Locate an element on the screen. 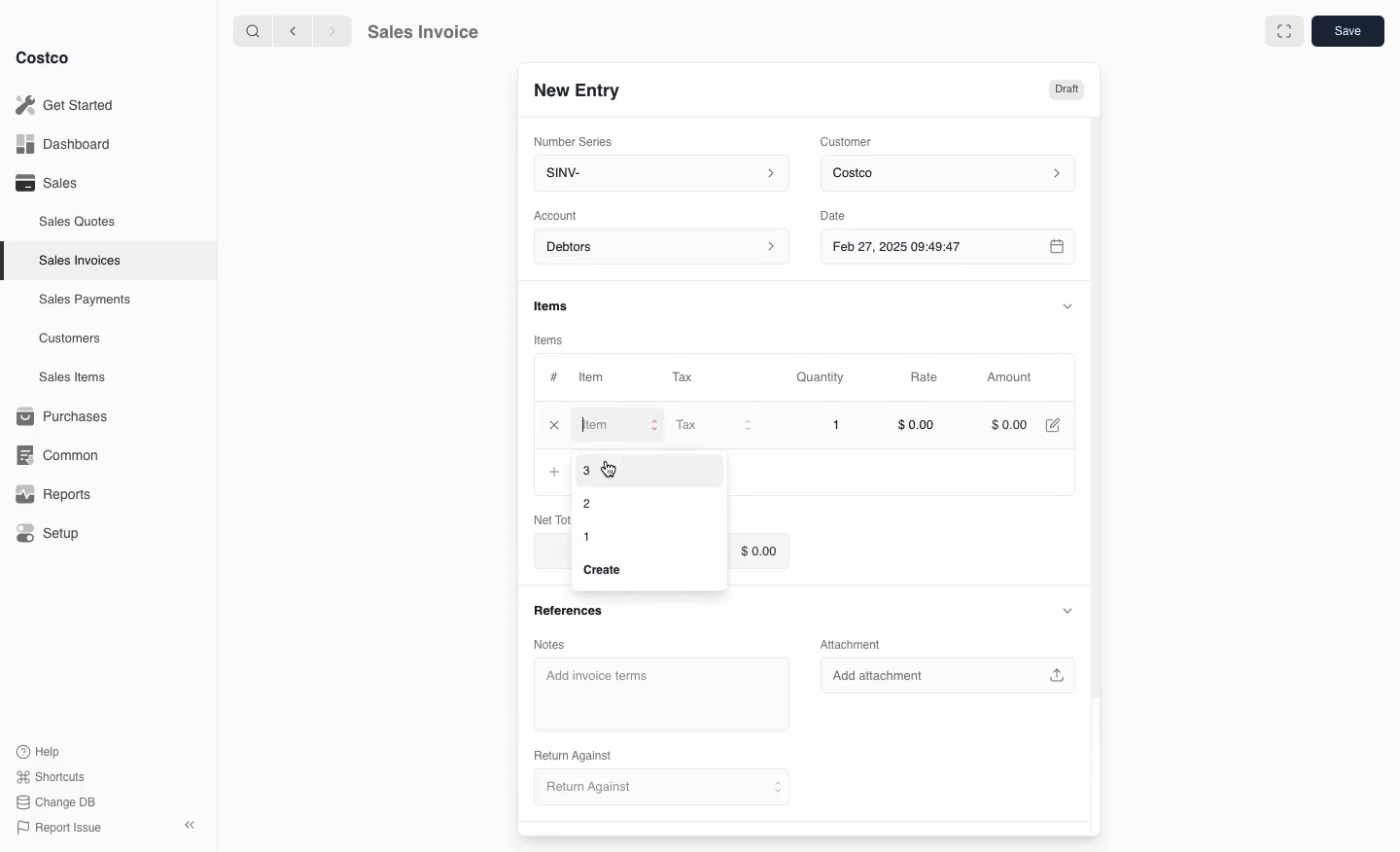 The image size is (1400, 852). Sales Items is located at coordinates (75, 375).